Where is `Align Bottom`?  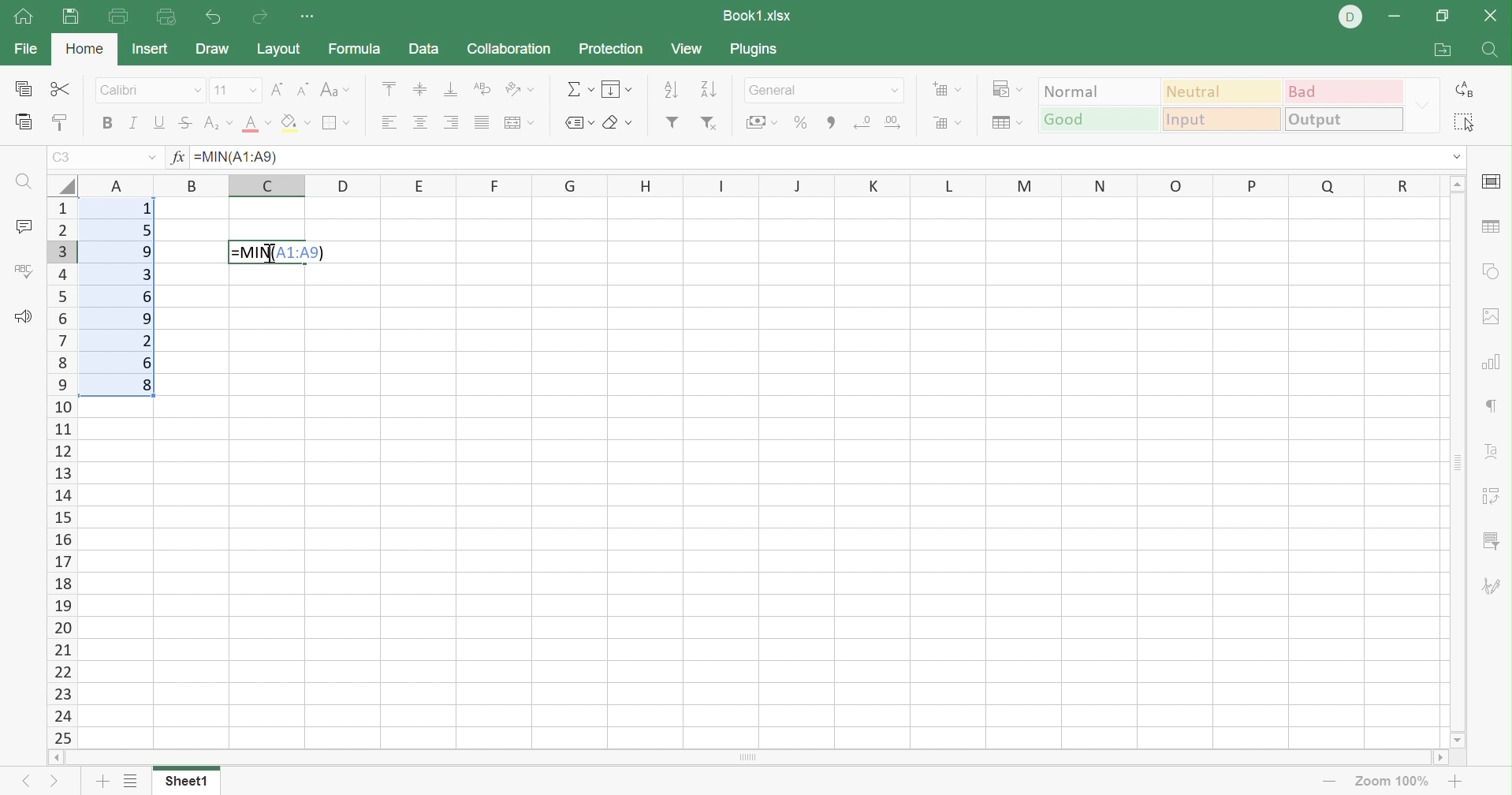
Align Bottom is located at coordinates (450, 89).